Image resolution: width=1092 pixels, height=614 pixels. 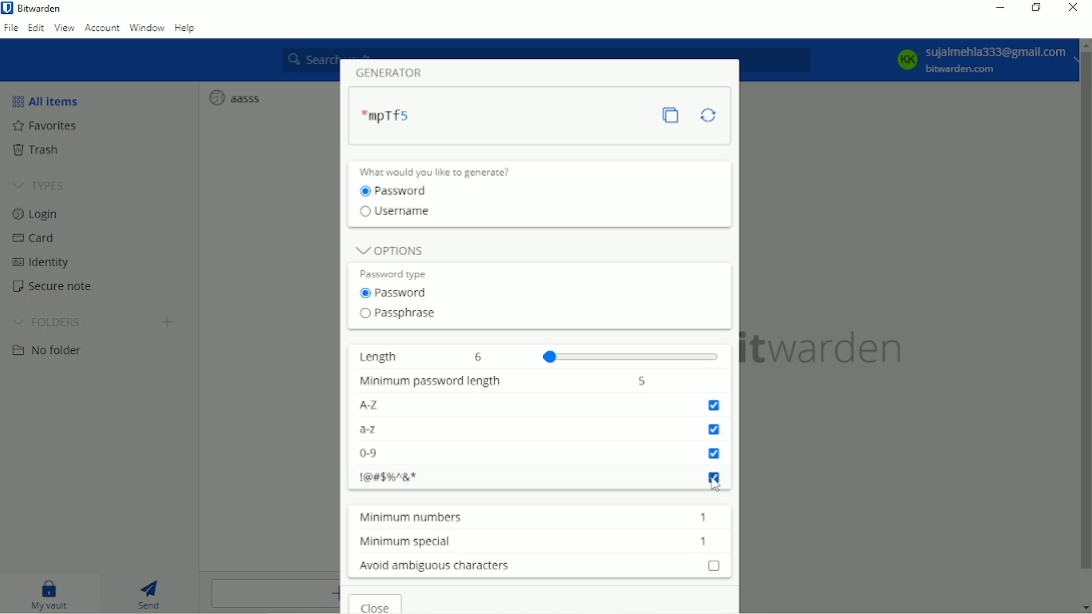 What do you see at coordinates (444, 171) in the screenshot?
I see `What would you like to generate?` at bounding box center [444, 171].